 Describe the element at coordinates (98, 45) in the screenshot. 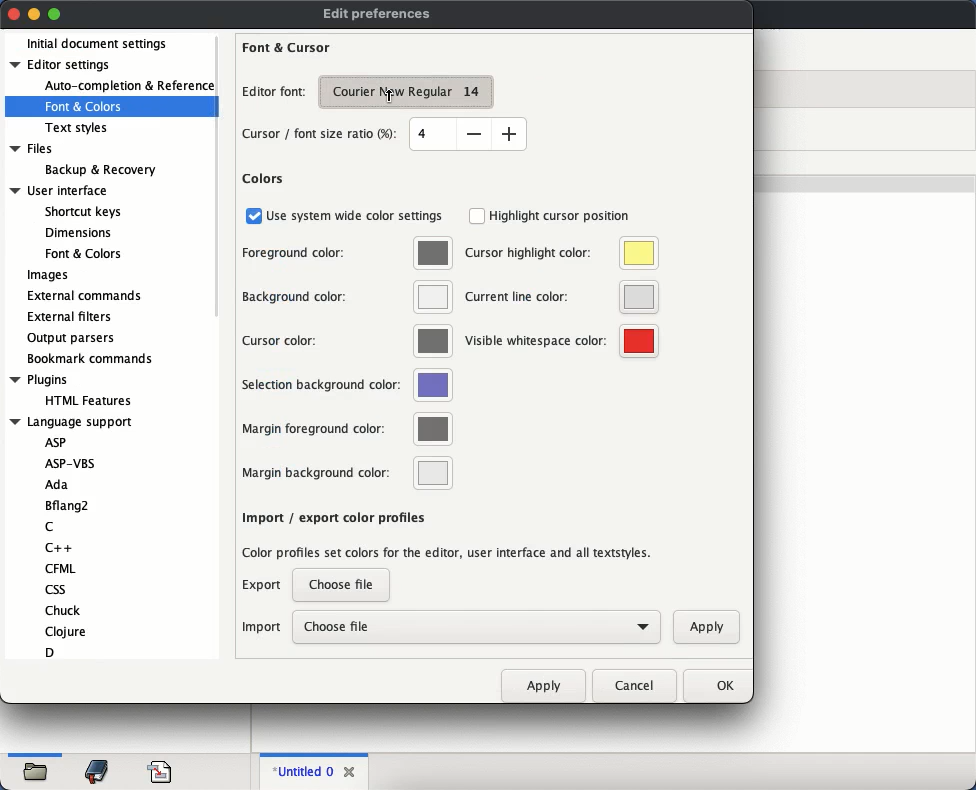

I see `initial document settings` at that location.